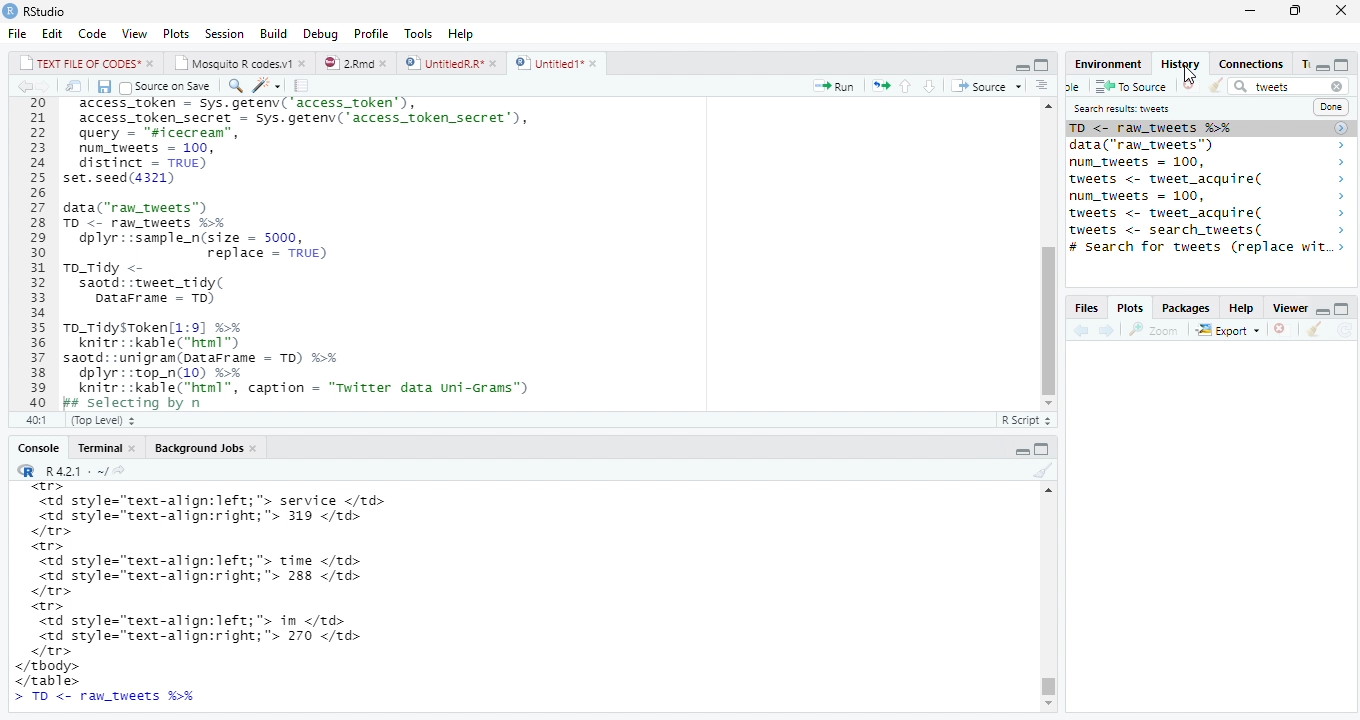  Describe the element at coordinates (271, 85) in the screenshot. I see `code tools` at that location.